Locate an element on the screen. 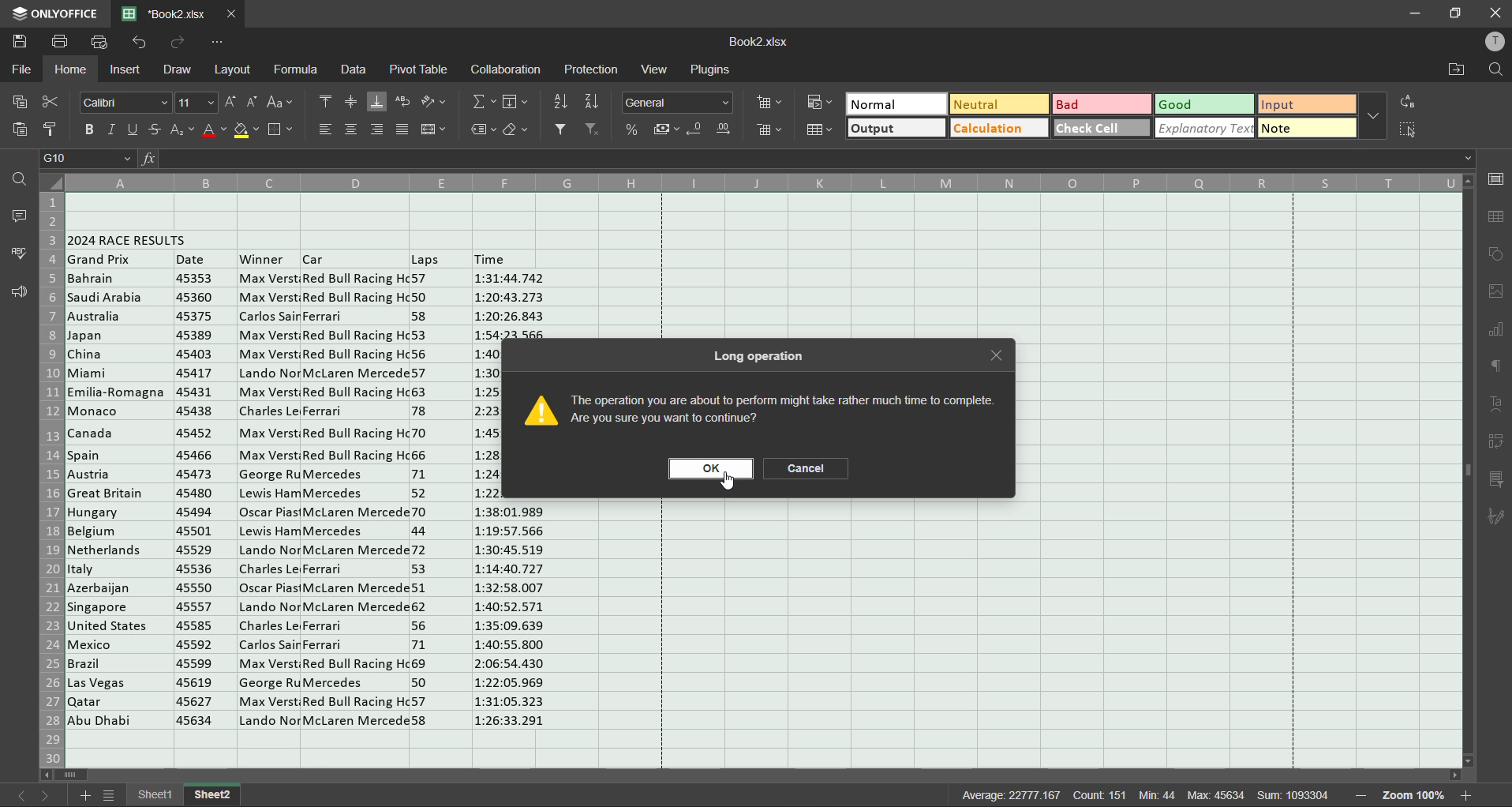 The height and width of the screenshot is (807, 1512). formula bar is located at coordinates (816, 160).